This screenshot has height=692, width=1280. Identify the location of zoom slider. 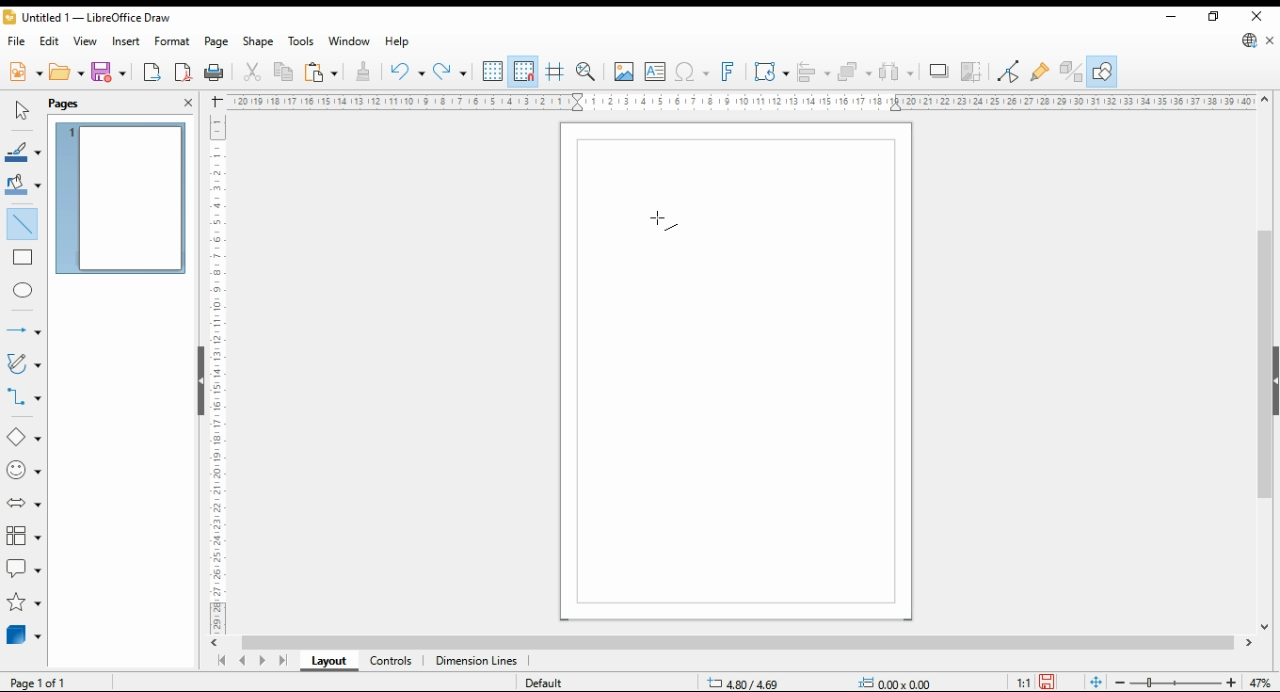
(1176, 684).